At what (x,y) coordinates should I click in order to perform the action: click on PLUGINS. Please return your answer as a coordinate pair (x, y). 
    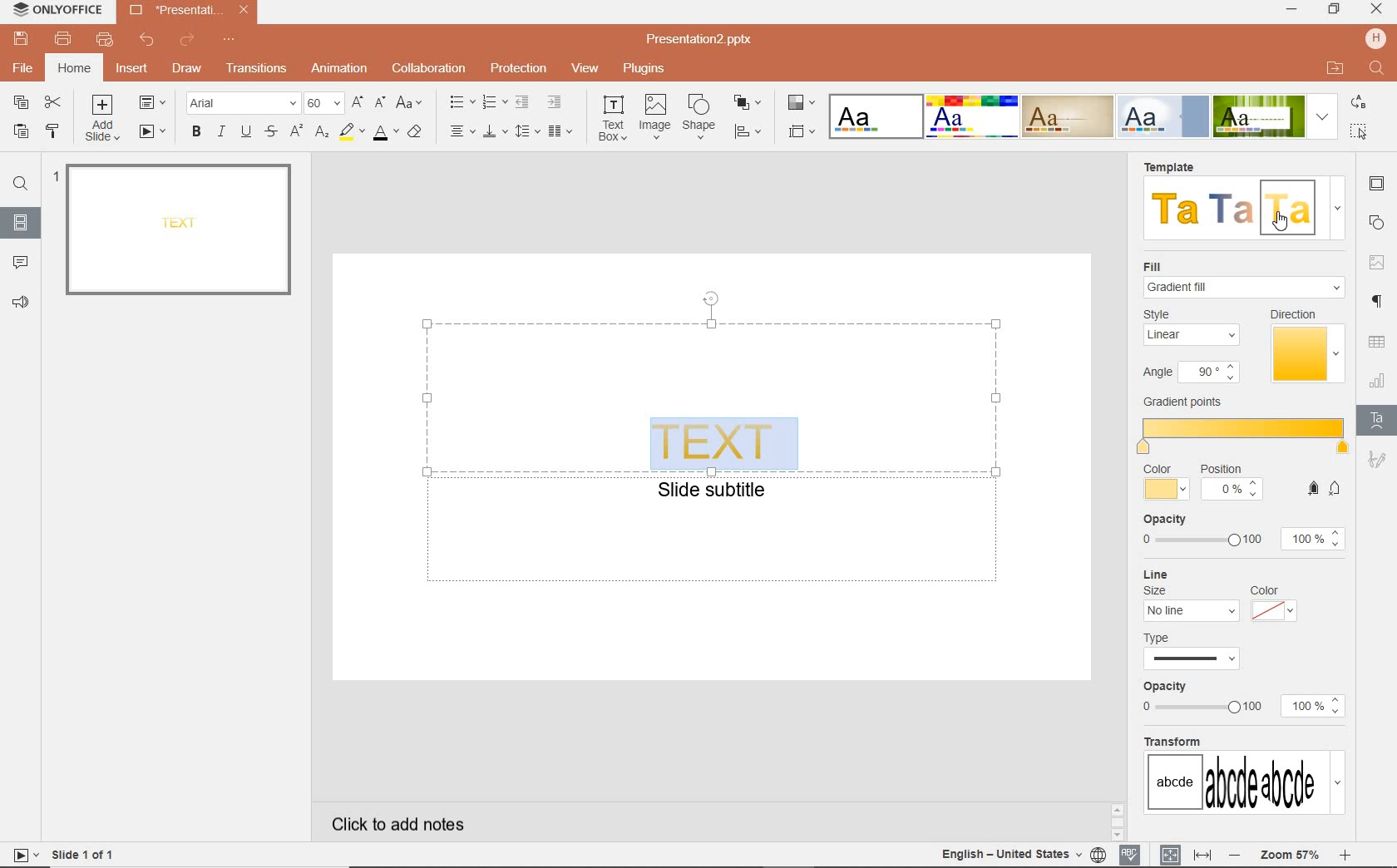
    Looking at the image, I should click on (643, 67).